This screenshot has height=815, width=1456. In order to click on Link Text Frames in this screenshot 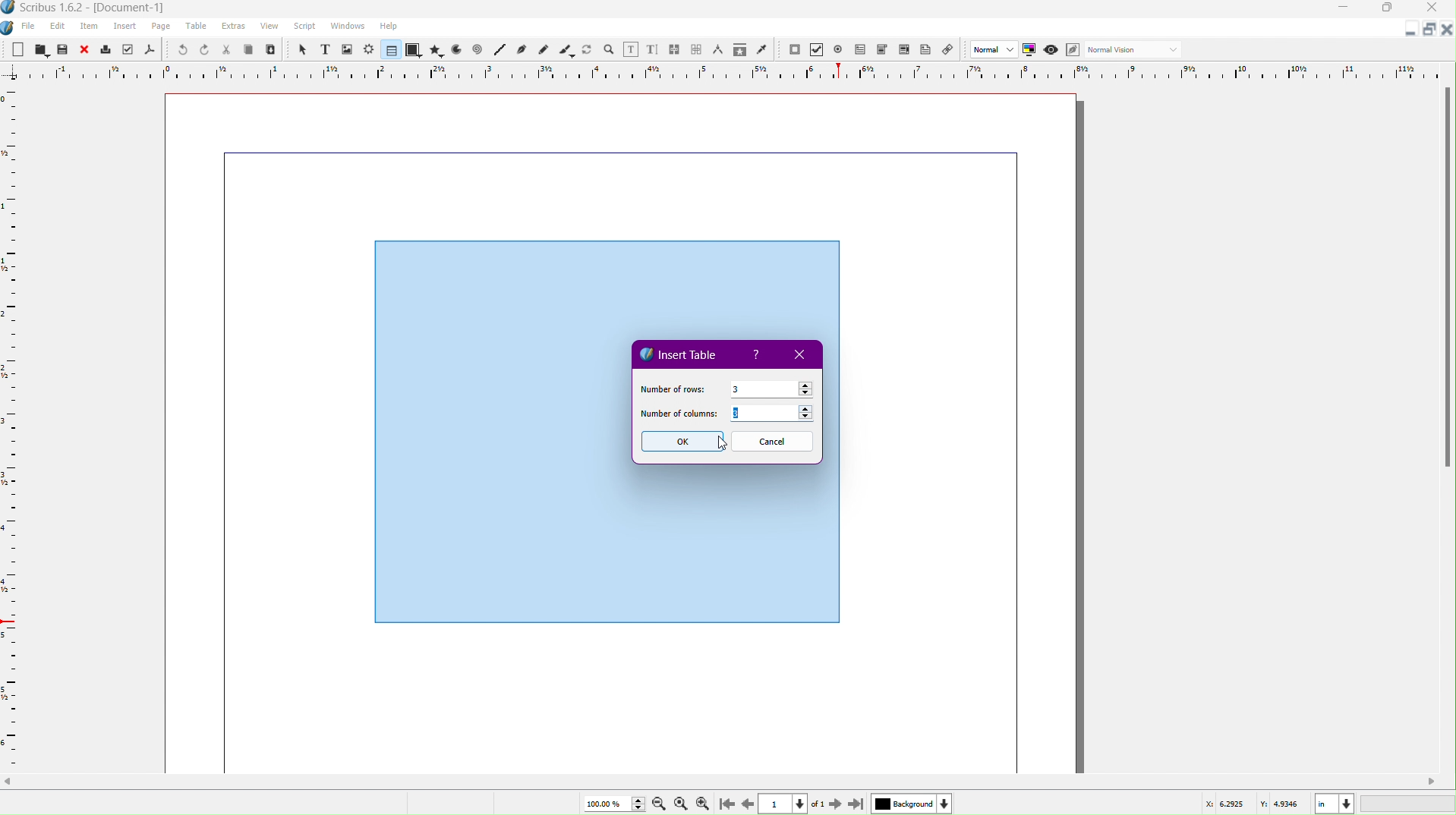, I will do `click(675, 47)`.